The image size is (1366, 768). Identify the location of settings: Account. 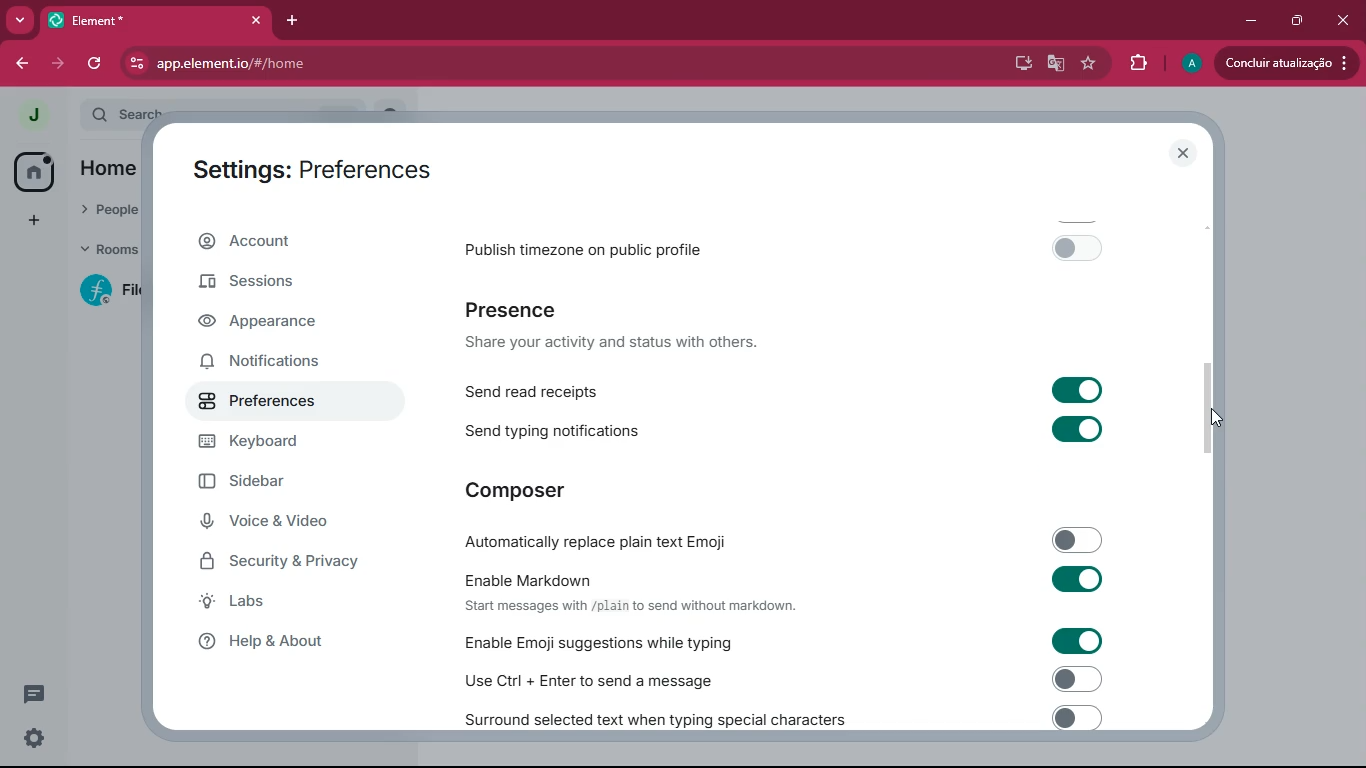
(303, 166).